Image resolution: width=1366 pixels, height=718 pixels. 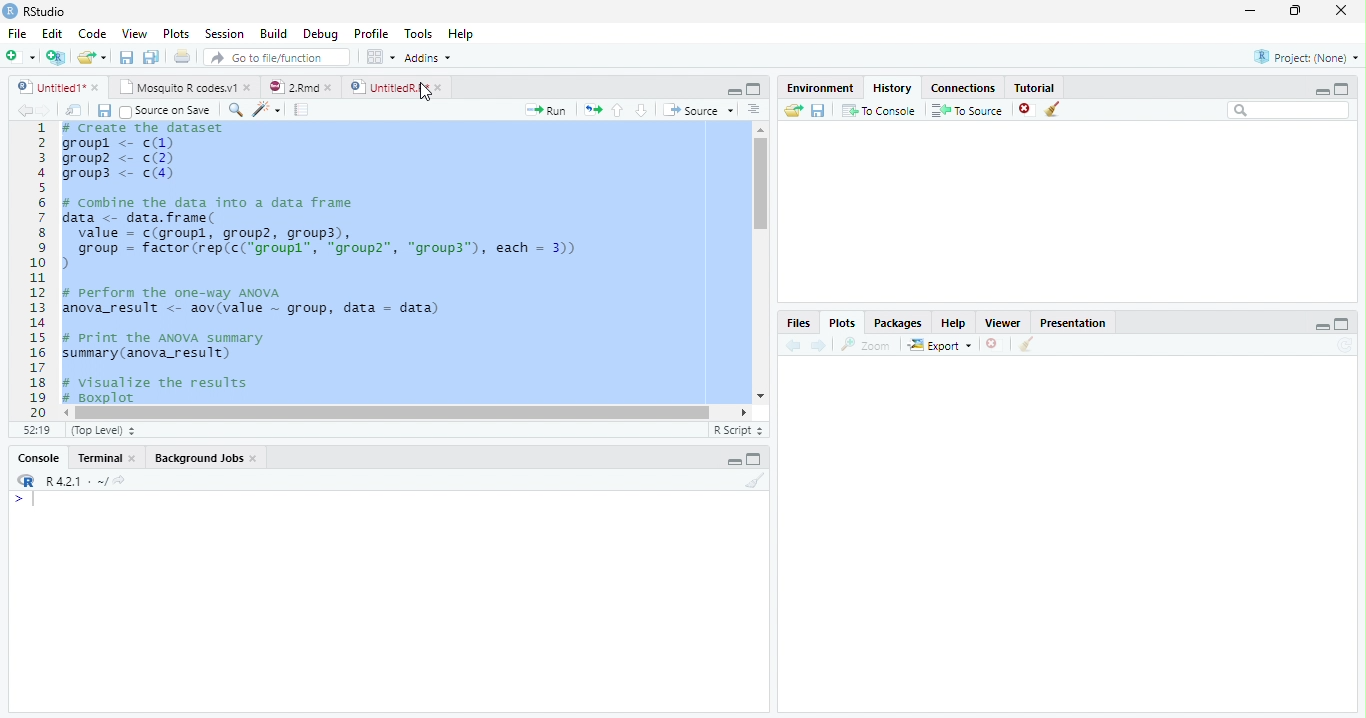 I want to click on Cursor, so click(x=38, y=501).